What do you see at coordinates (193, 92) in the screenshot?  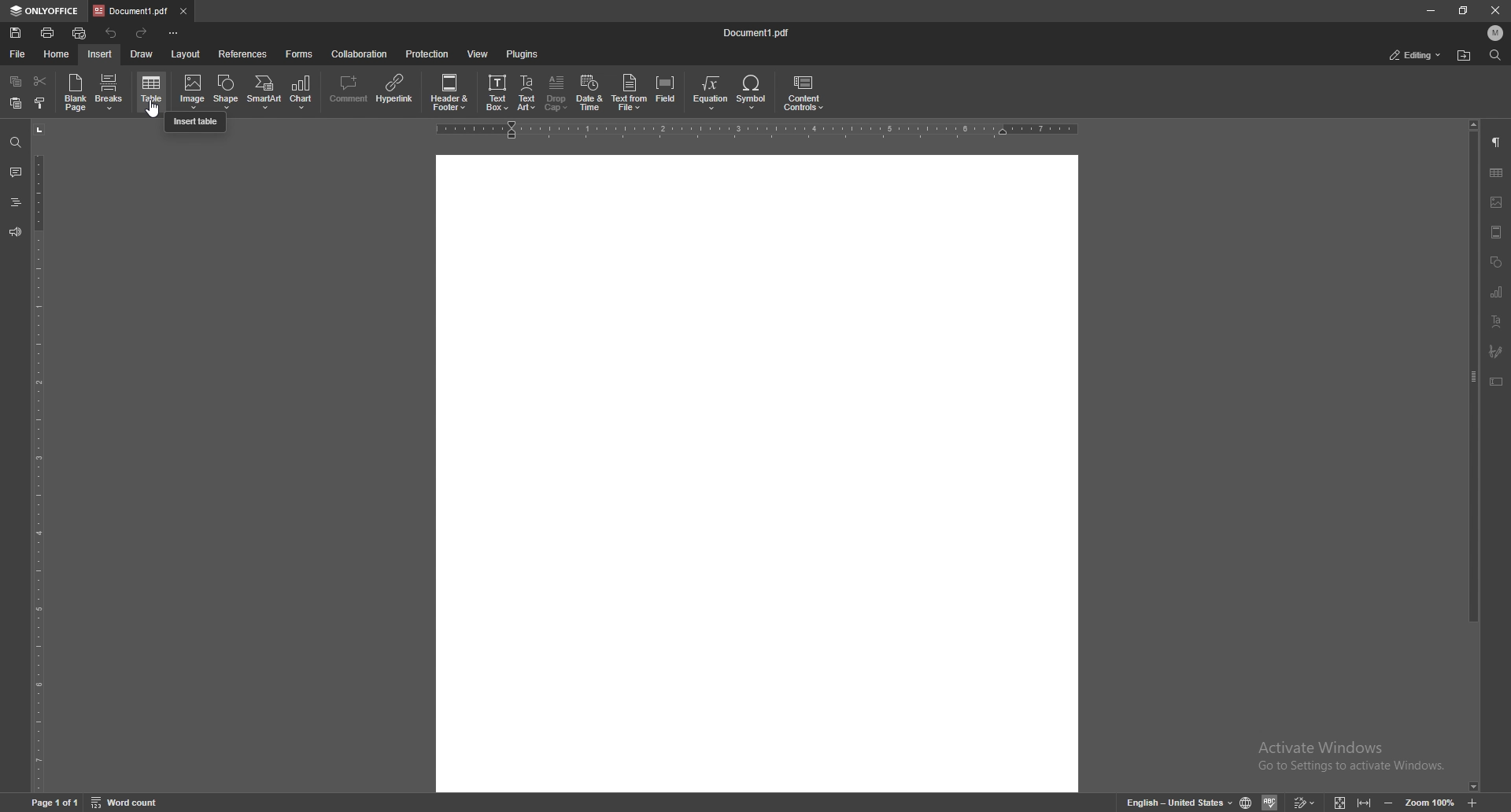 I see `image` at bounding box center [193, 92].